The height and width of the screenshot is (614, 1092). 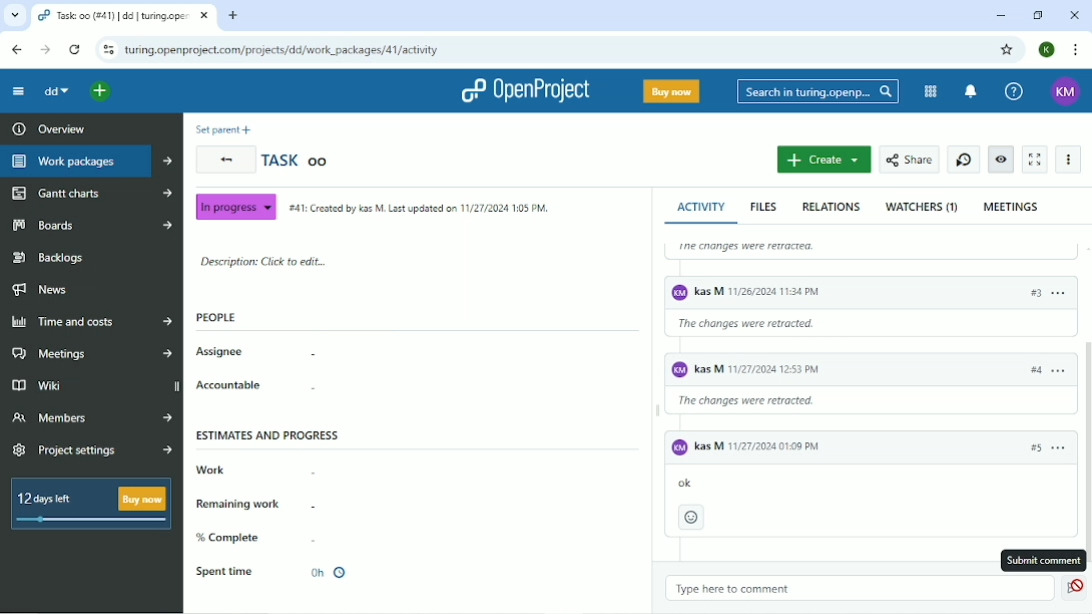 I want to click on Project settings, so click(x=92, y=452).